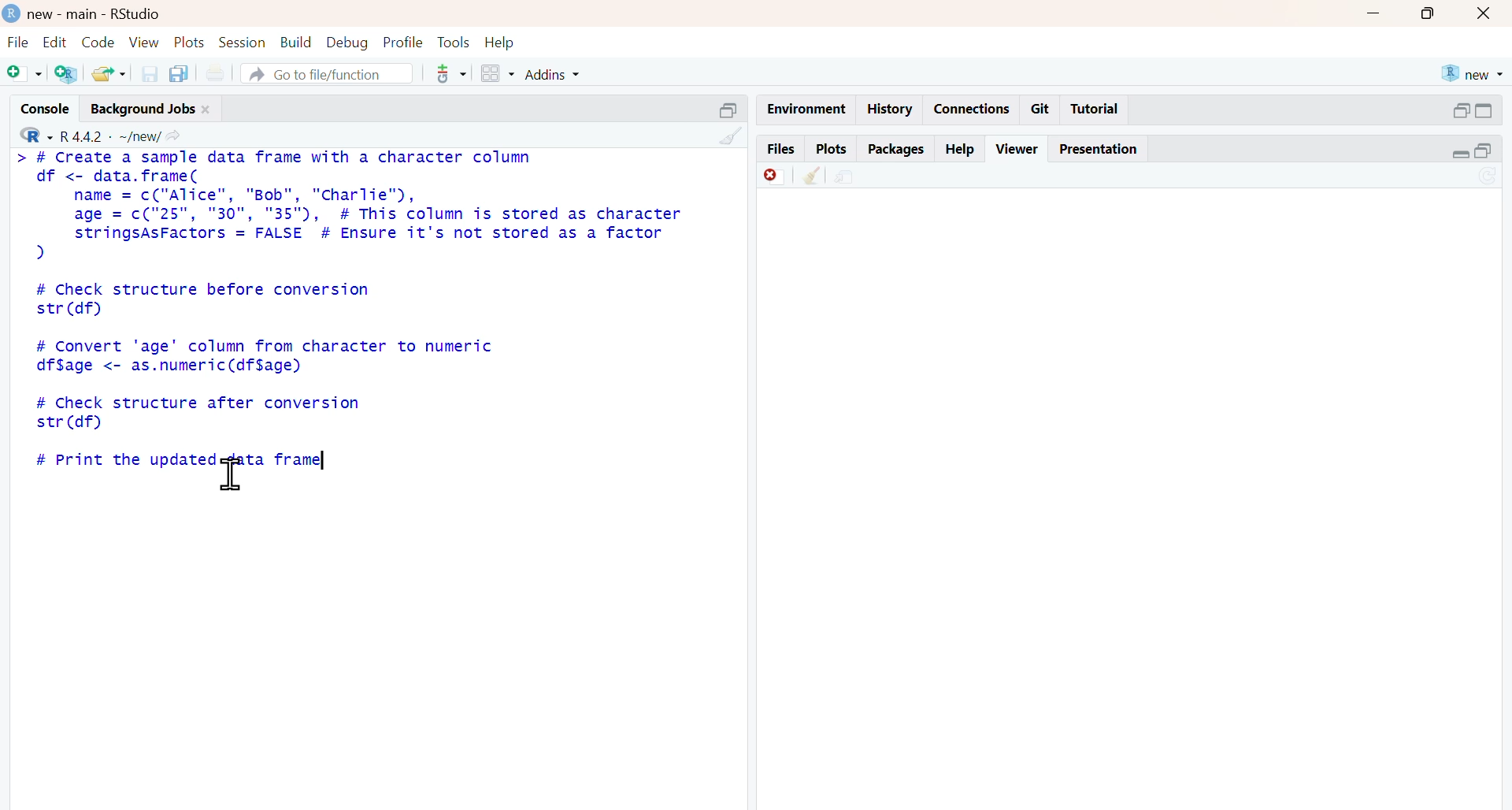  What do you see at coordinates (961, 149) in the screenshot?
I see `help` at bounding box center [961, 149].